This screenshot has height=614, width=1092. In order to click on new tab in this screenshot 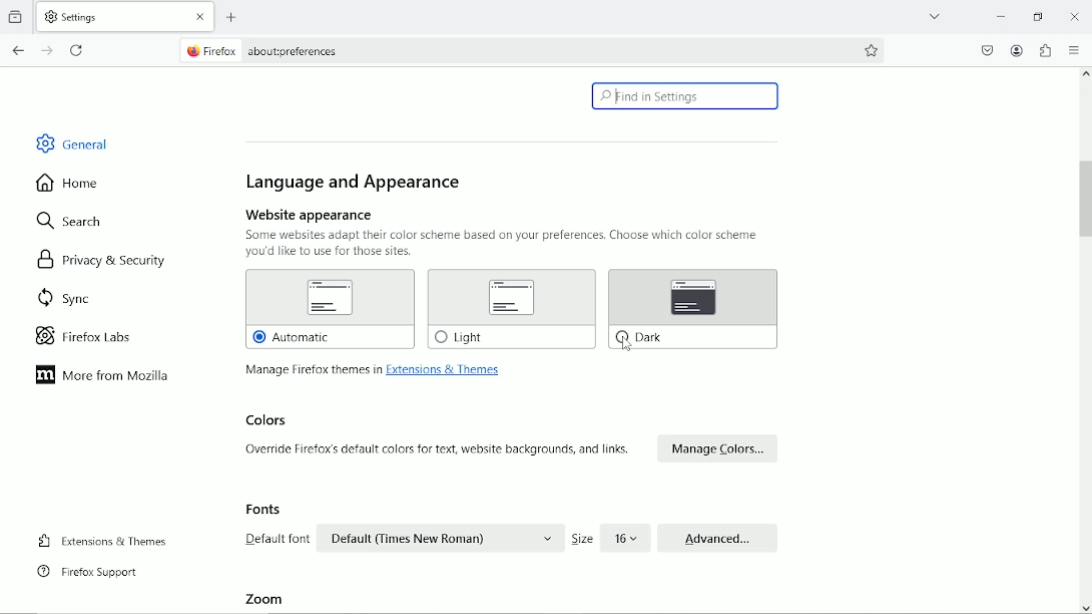, I will do `click(232, 17)`.